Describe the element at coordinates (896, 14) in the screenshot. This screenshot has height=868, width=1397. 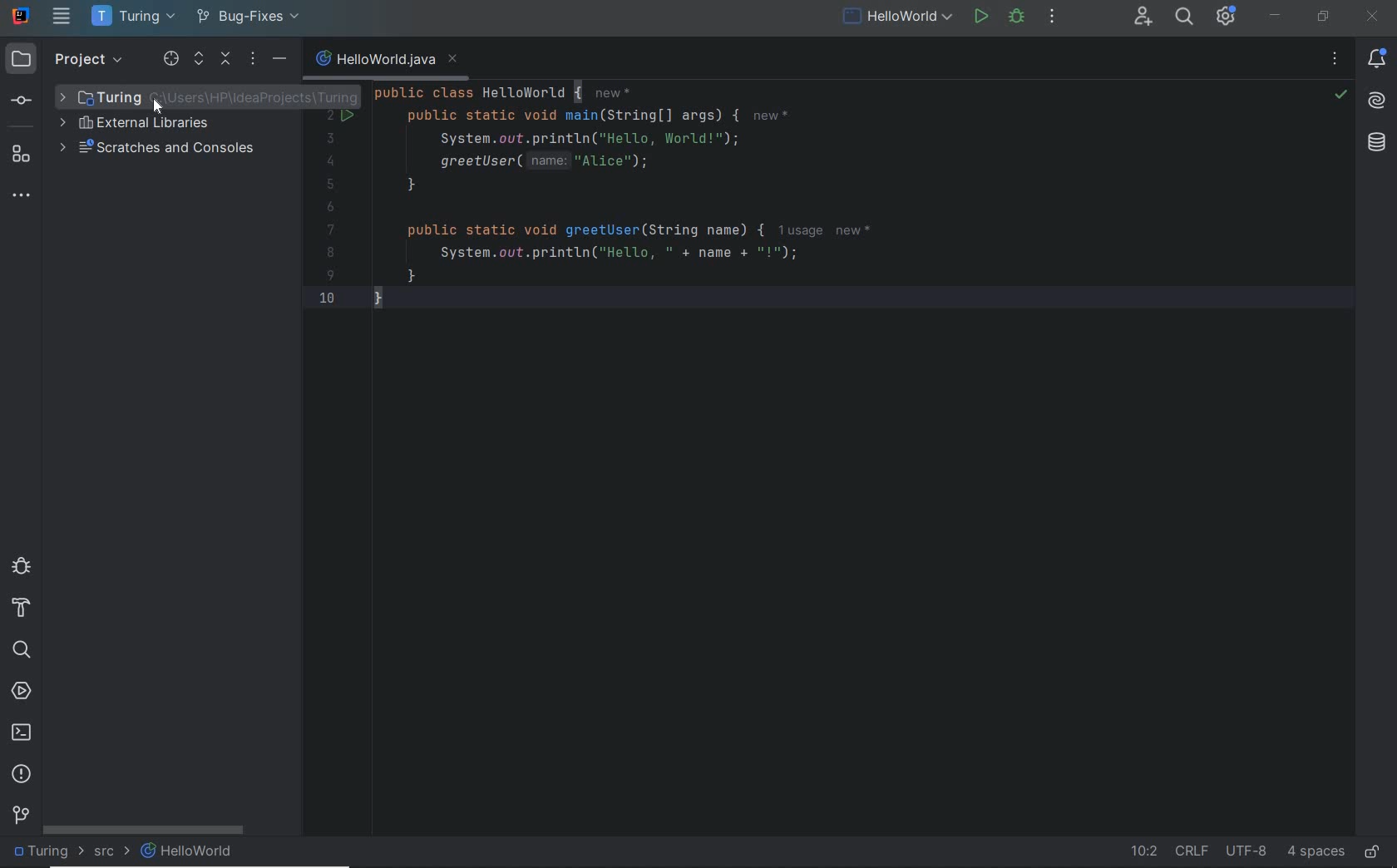
I see `run/debug current file configuration` at that location.